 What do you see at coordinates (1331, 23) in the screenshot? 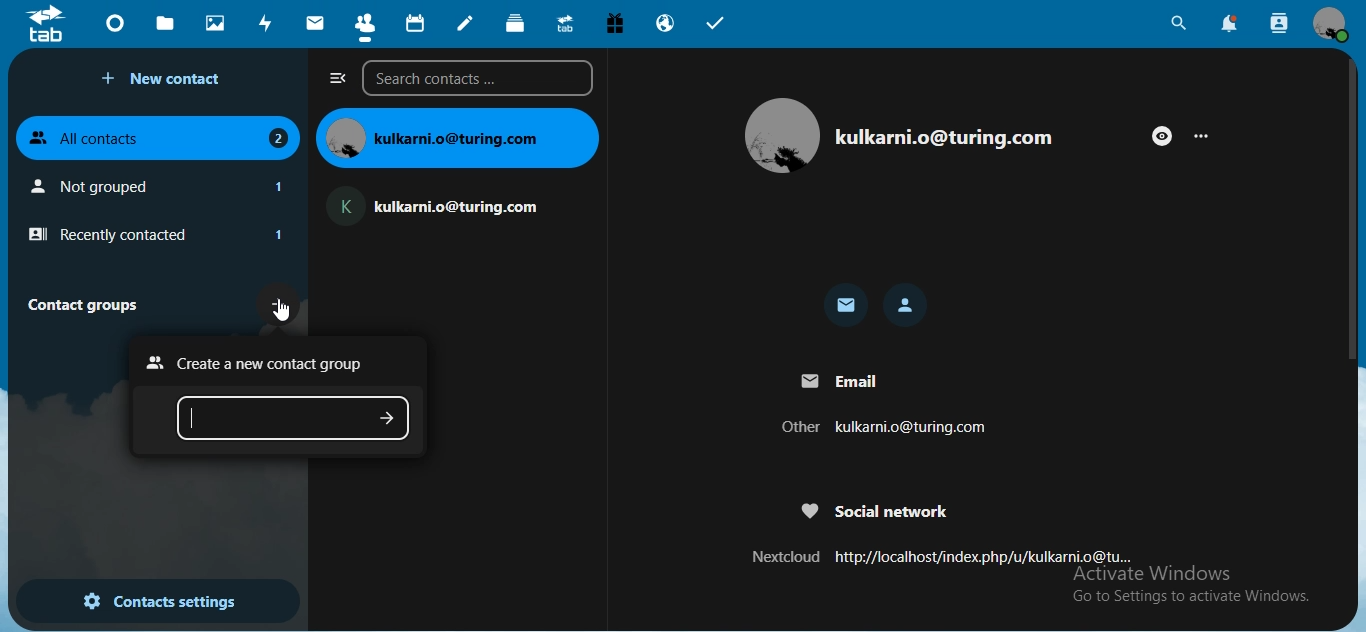
I see `view profile` at bounding box center [1331, 23].